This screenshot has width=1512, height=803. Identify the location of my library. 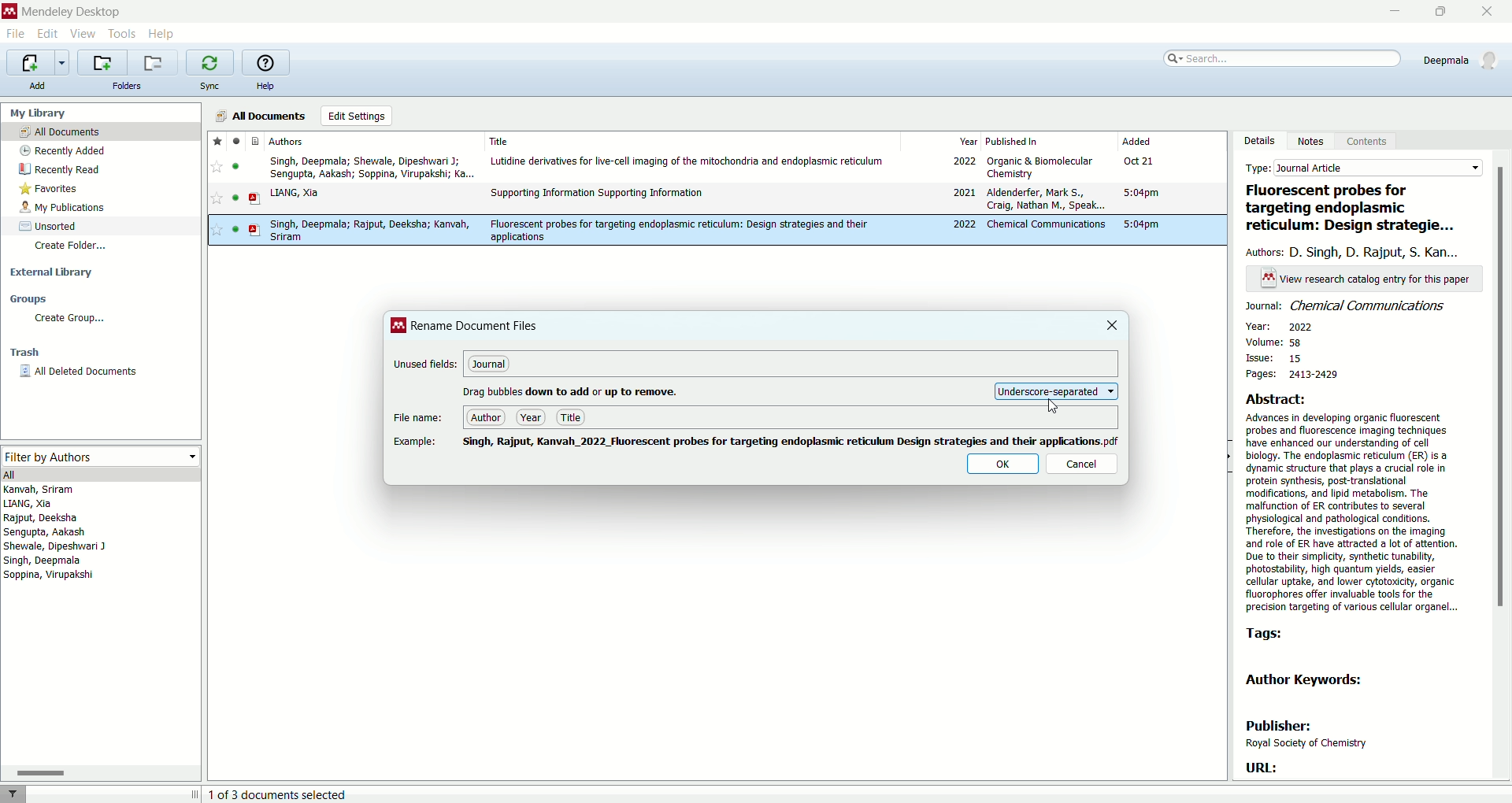
(40, 113).